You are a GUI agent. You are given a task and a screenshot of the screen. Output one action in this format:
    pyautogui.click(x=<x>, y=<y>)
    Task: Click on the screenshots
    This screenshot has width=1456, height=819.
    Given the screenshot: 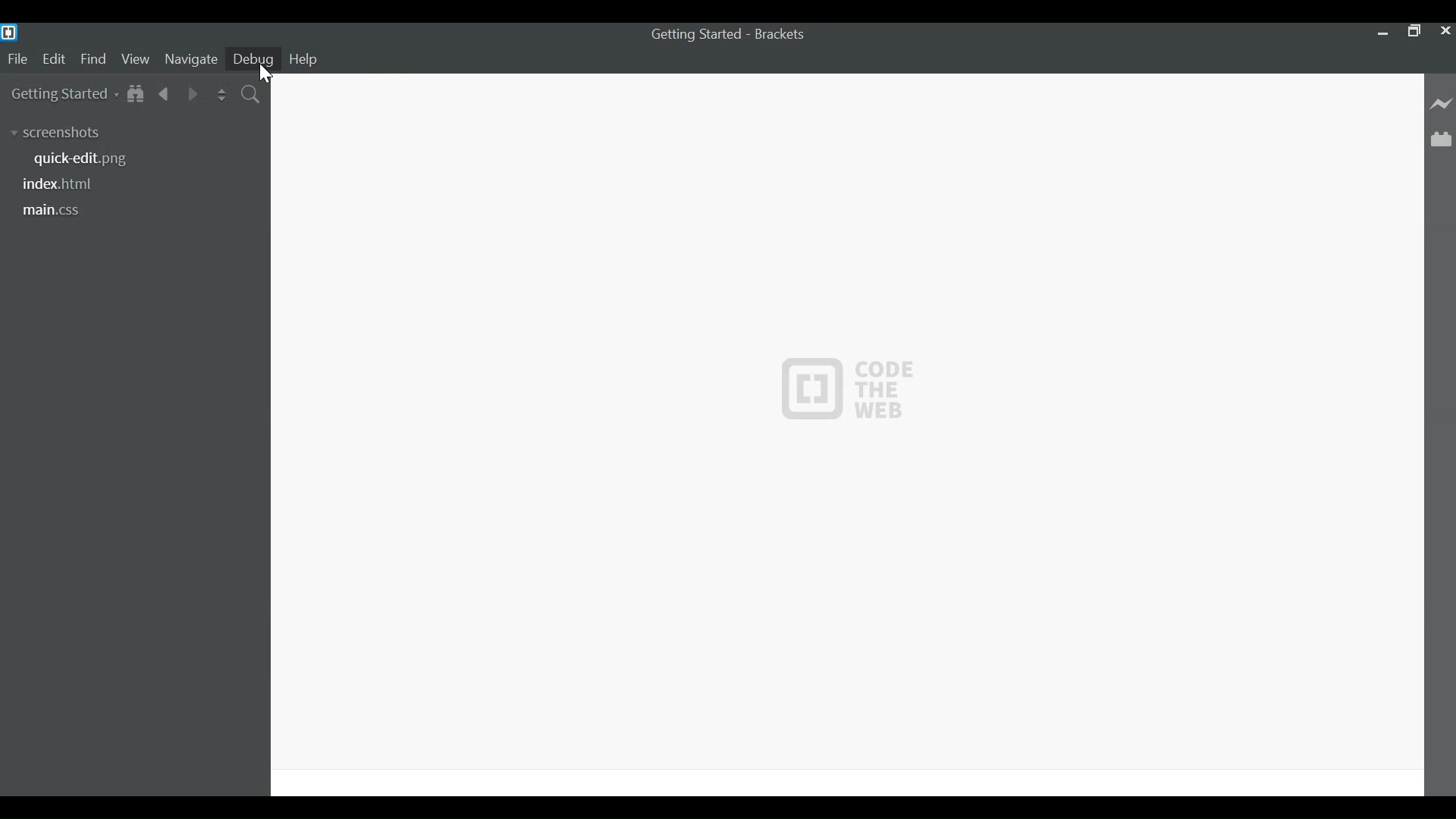 What is the action you would take?
    pyautogui.click(x=58, y=132)
    